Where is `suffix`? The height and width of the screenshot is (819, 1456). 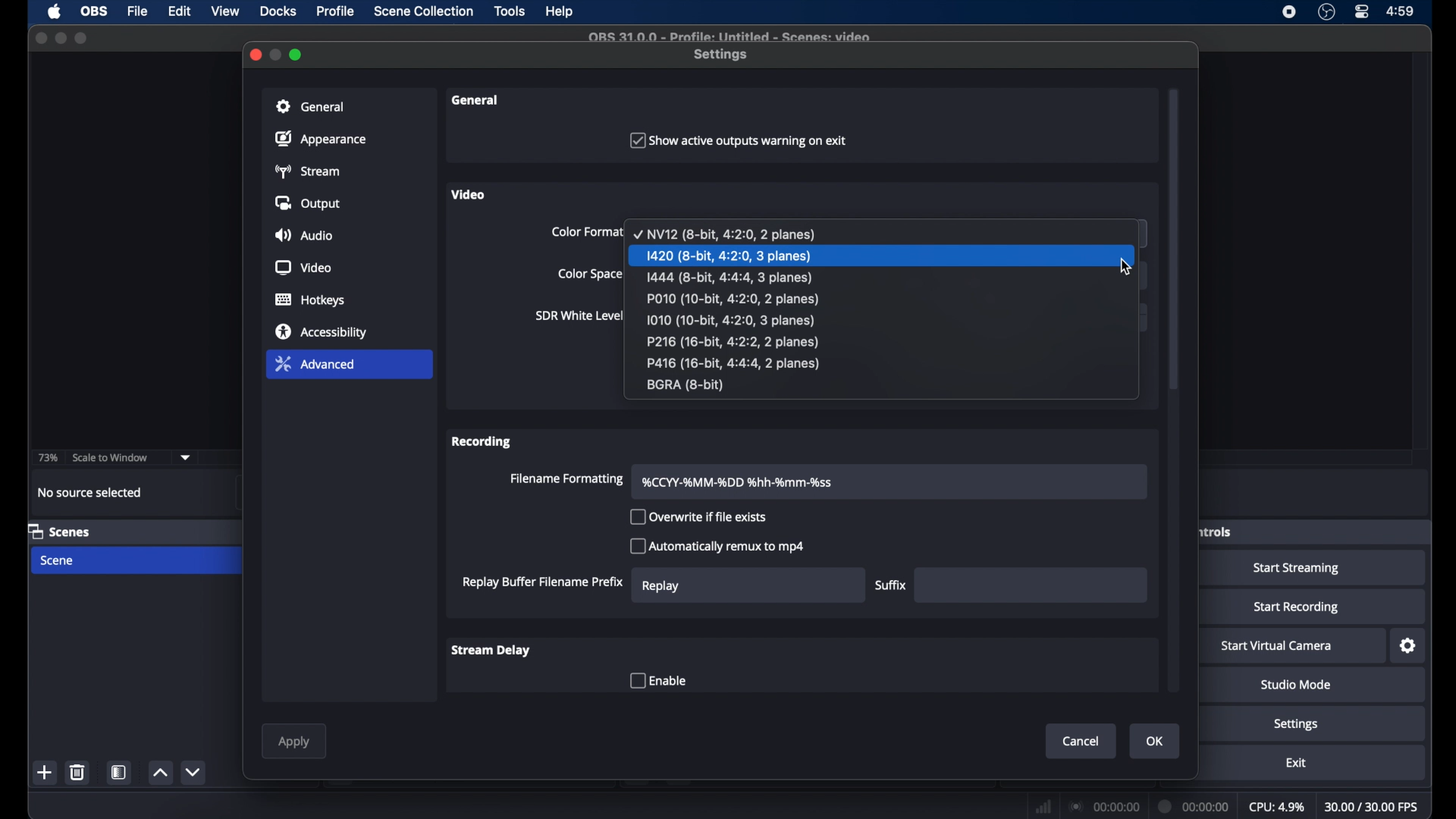
suffix is located at coordinates (890, 585).